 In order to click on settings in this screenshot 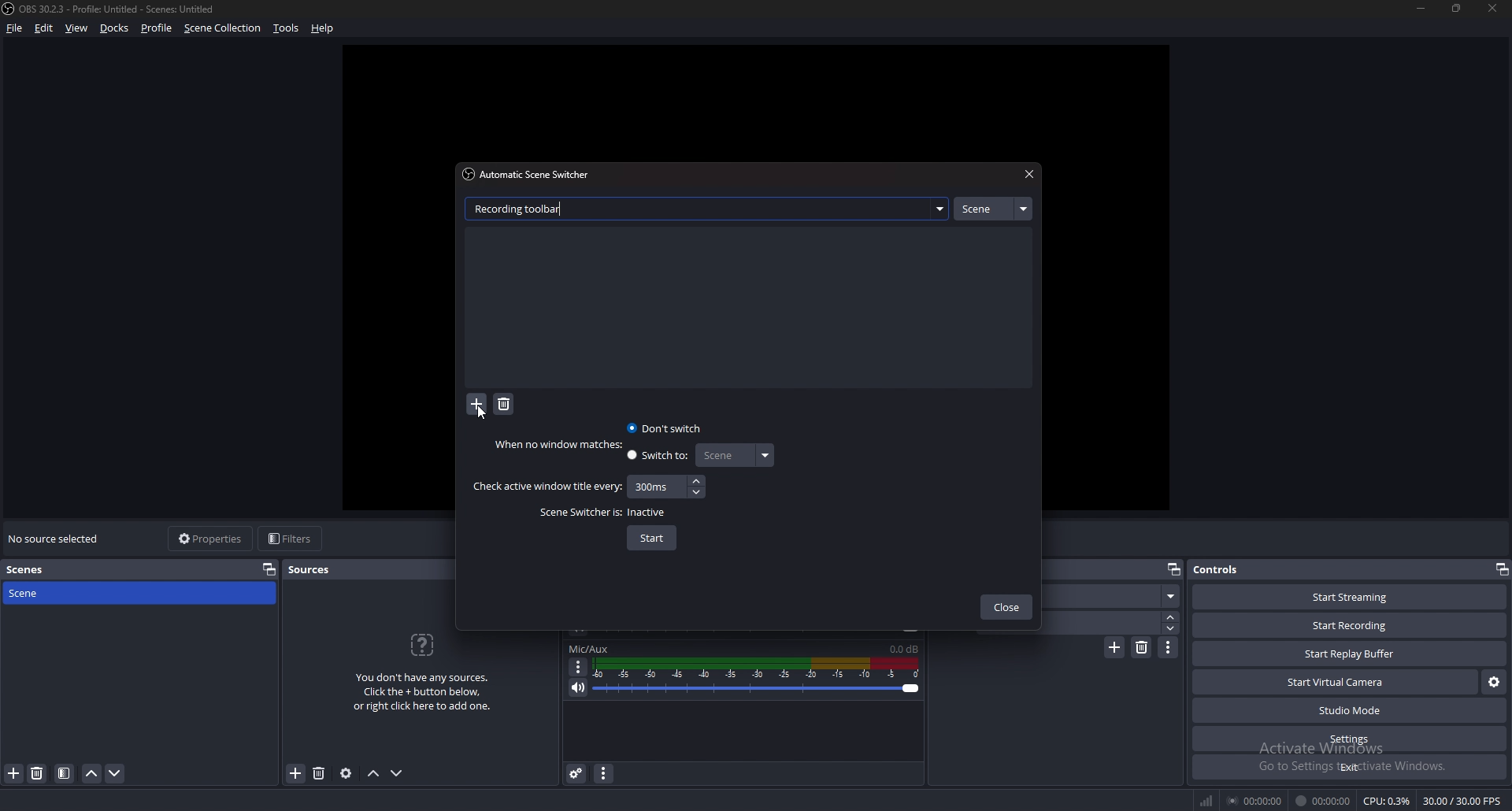, I will do `click(1351, 739)`.